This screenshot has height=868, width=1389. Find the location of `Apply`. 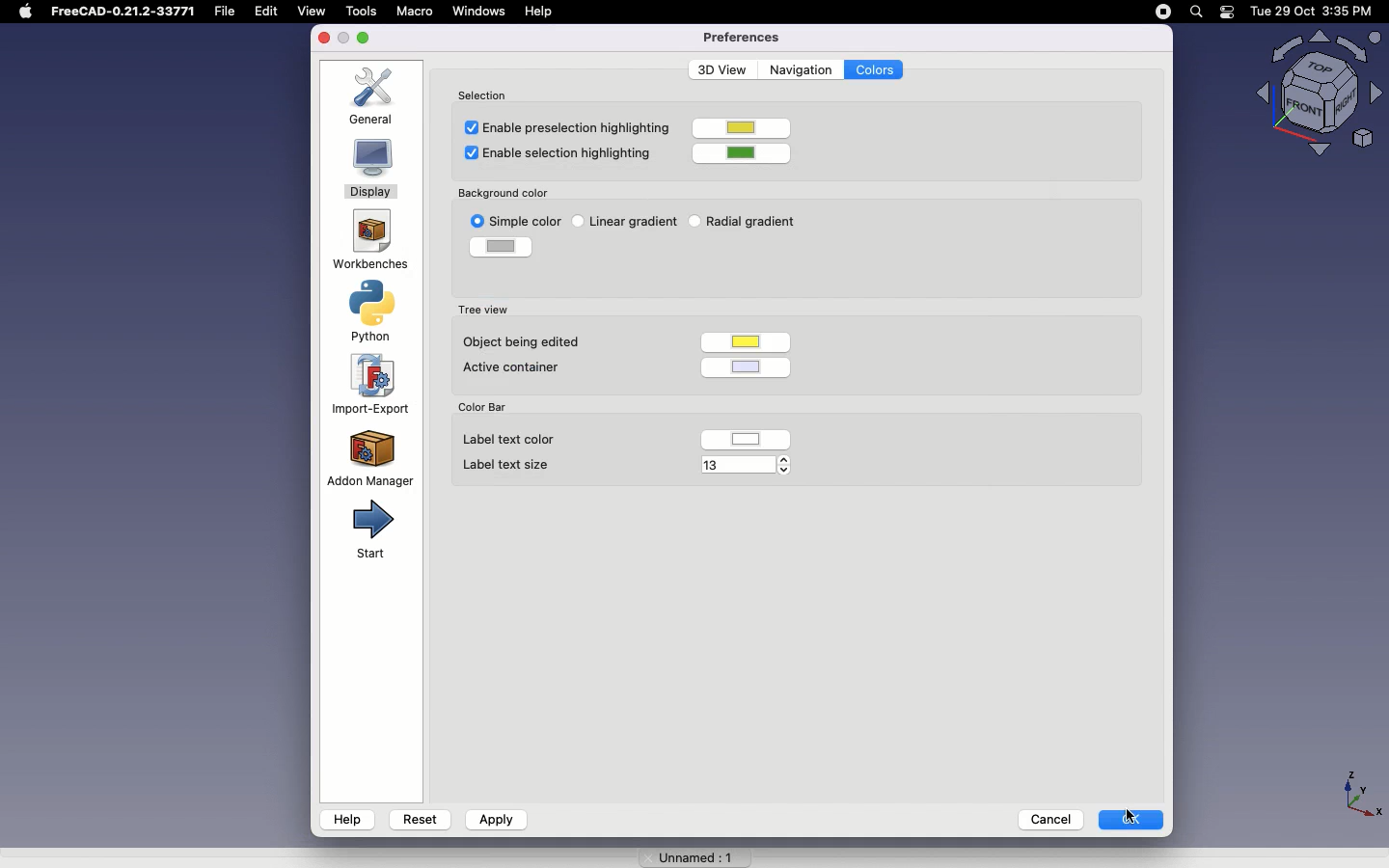

Apply is located at coordinates (495, 820).